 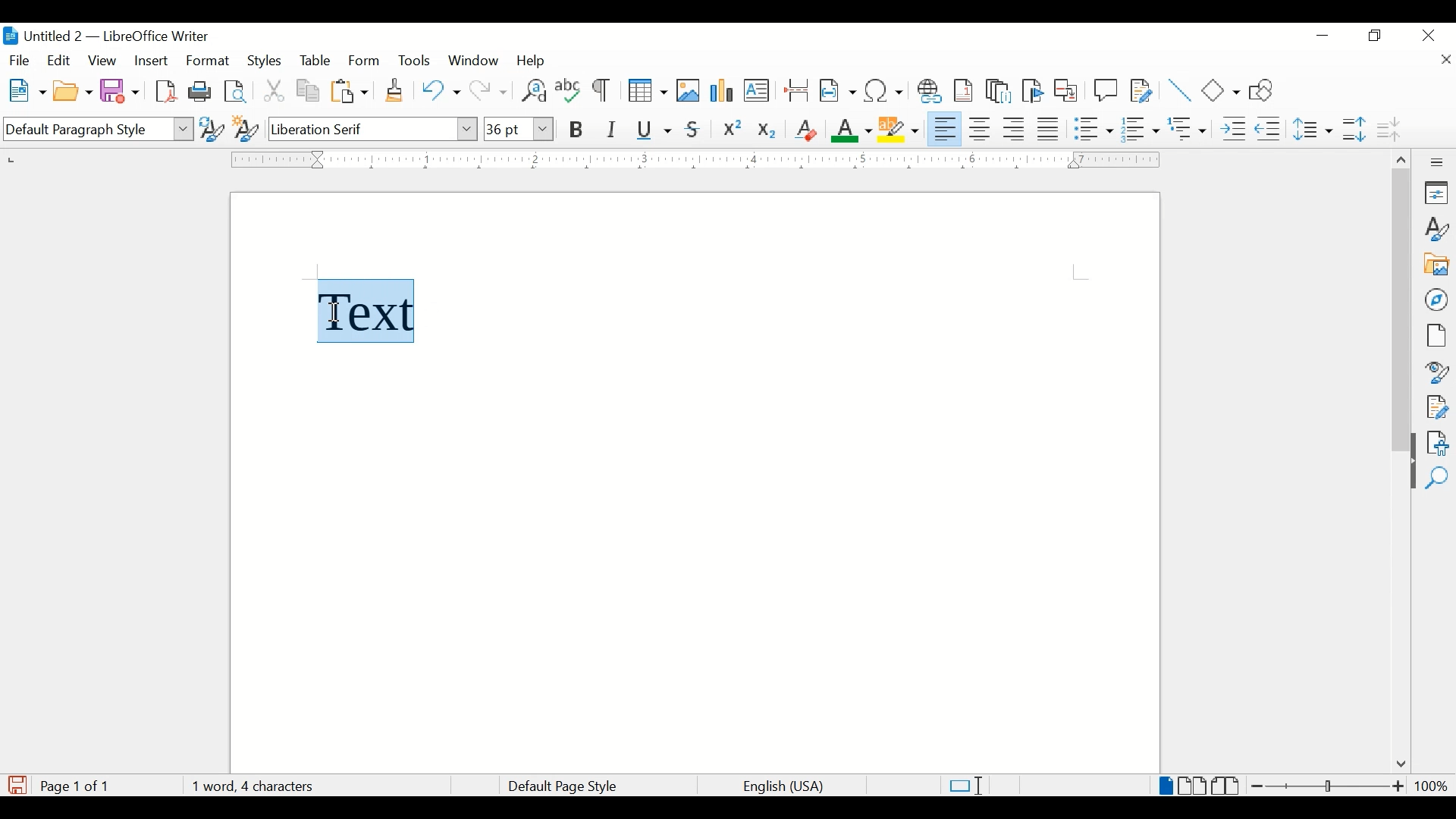 What do you see at coordinates (900, 128) in the screenshot?
I see `character highlighting color` at bounding box center [900, 128].